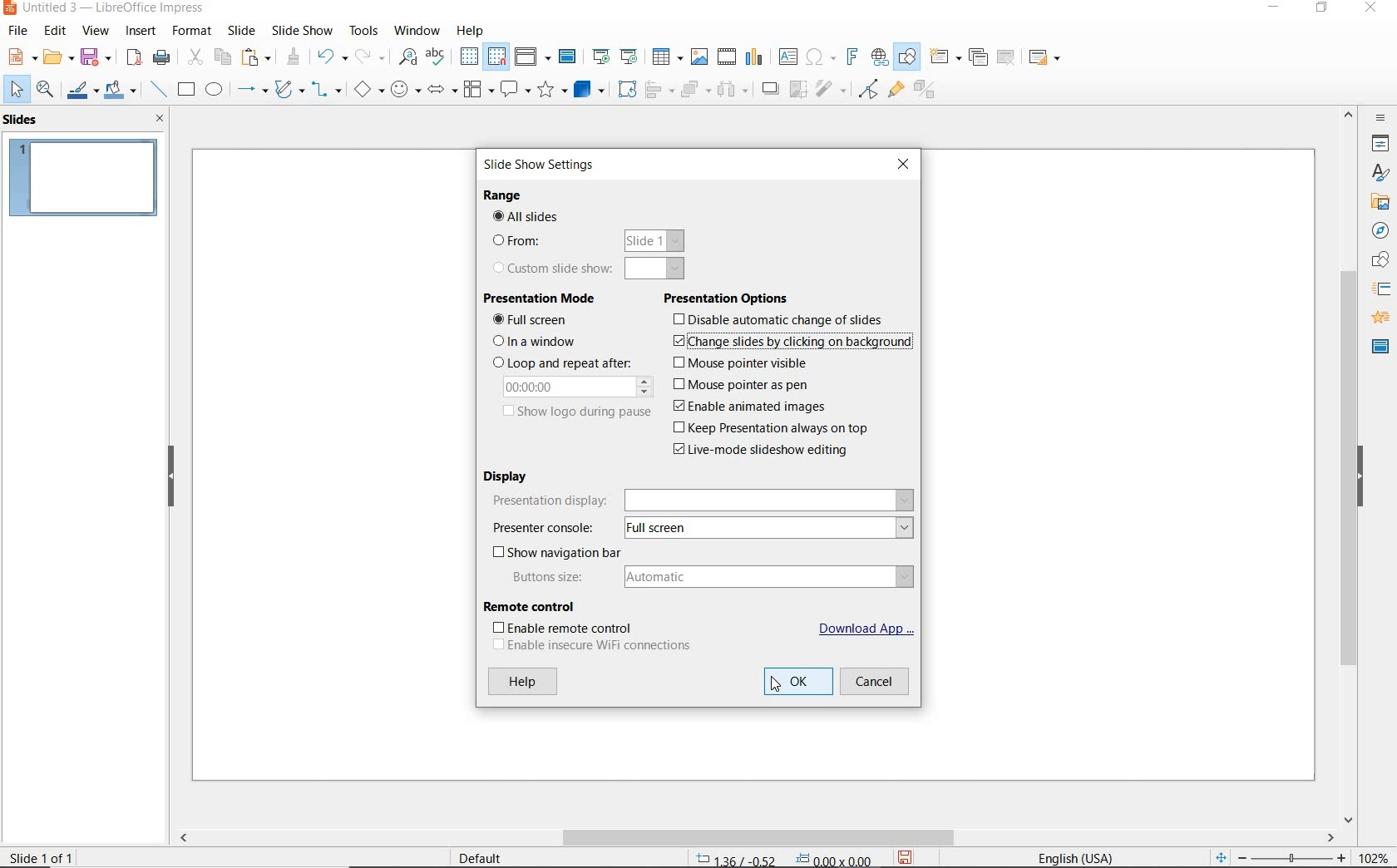 The width and height of the screenshot is (1397, 868). I want to click on FROM, so click(586, 240).